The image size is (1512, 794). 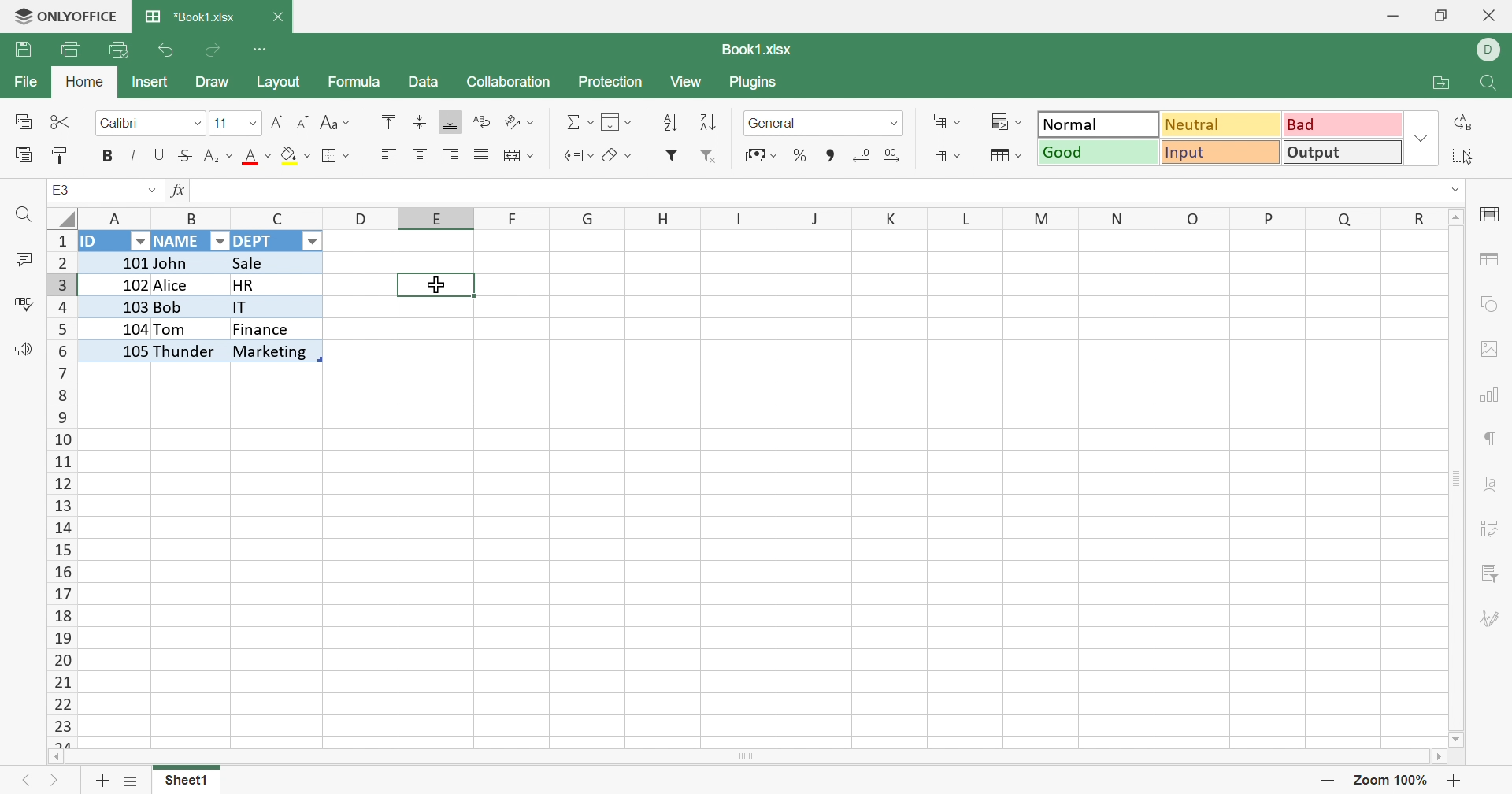 I want to click on Neutral, so click(x=1222, y=124).